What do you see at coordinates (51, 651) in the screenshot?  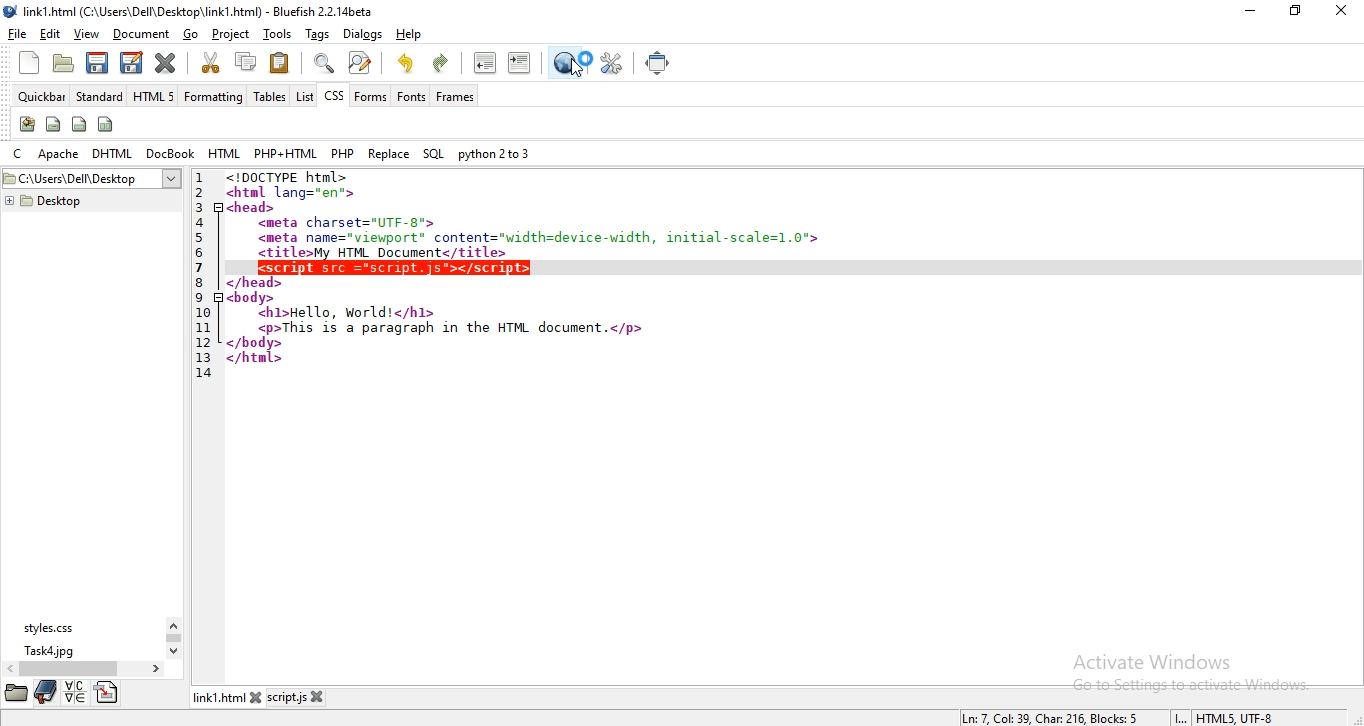 I see `task4` at bounding box center [51, 651].